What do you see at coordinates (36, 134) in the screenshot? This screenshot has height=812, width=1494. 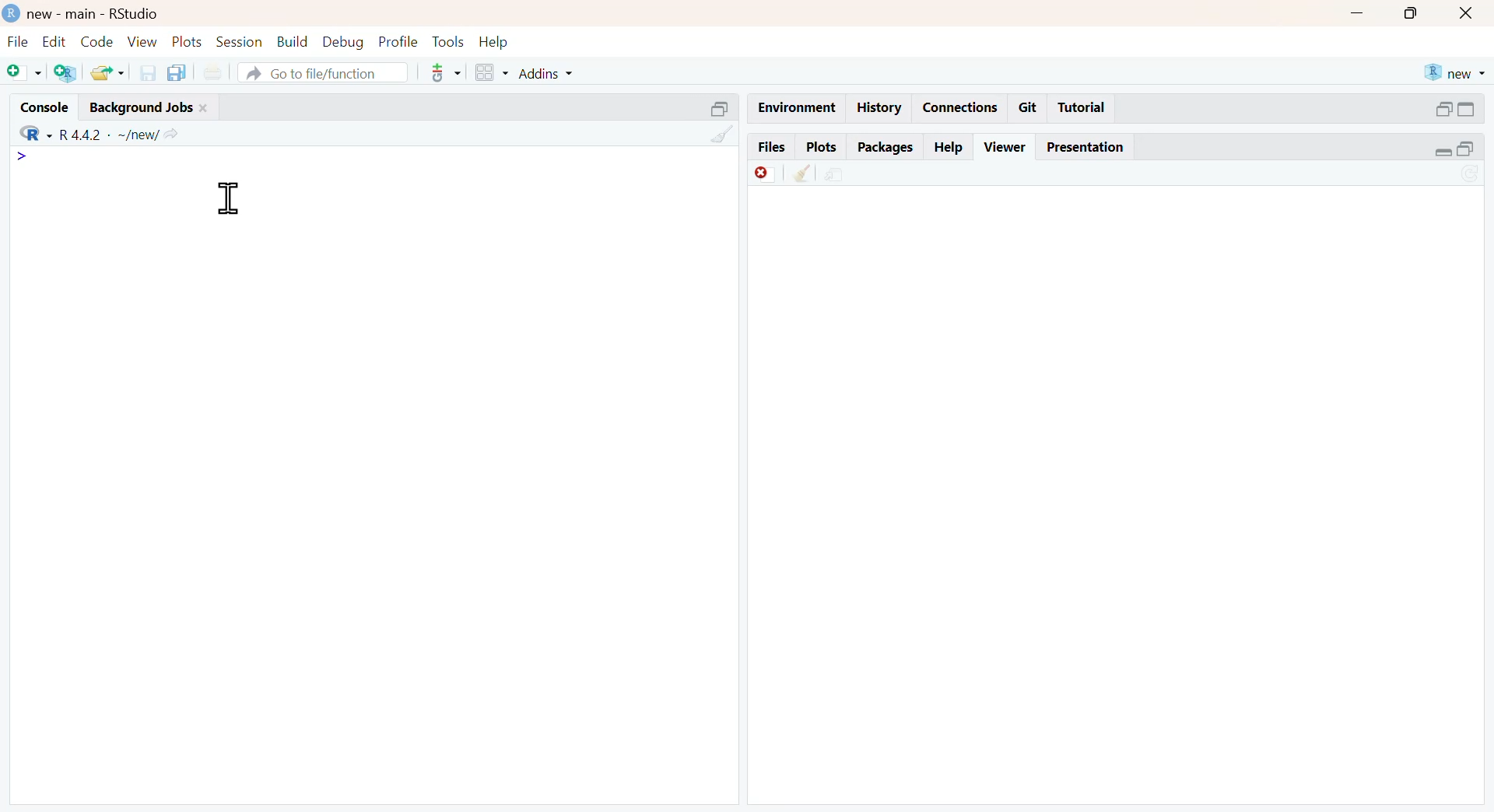 I see `R` at bounding box center [36, 134].